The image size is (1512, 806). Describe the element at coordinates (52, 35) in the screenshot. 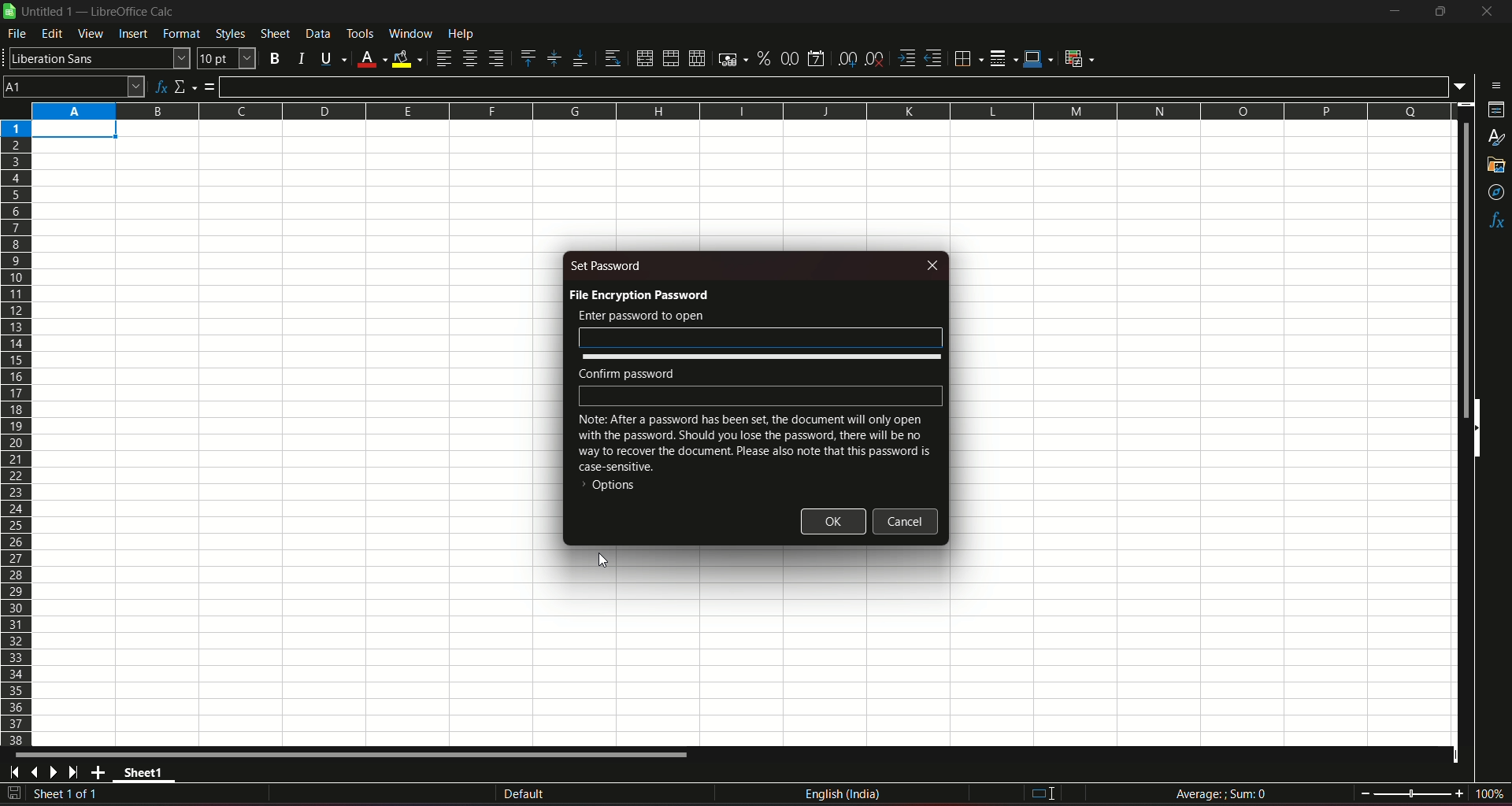

I see `edit` at that location.